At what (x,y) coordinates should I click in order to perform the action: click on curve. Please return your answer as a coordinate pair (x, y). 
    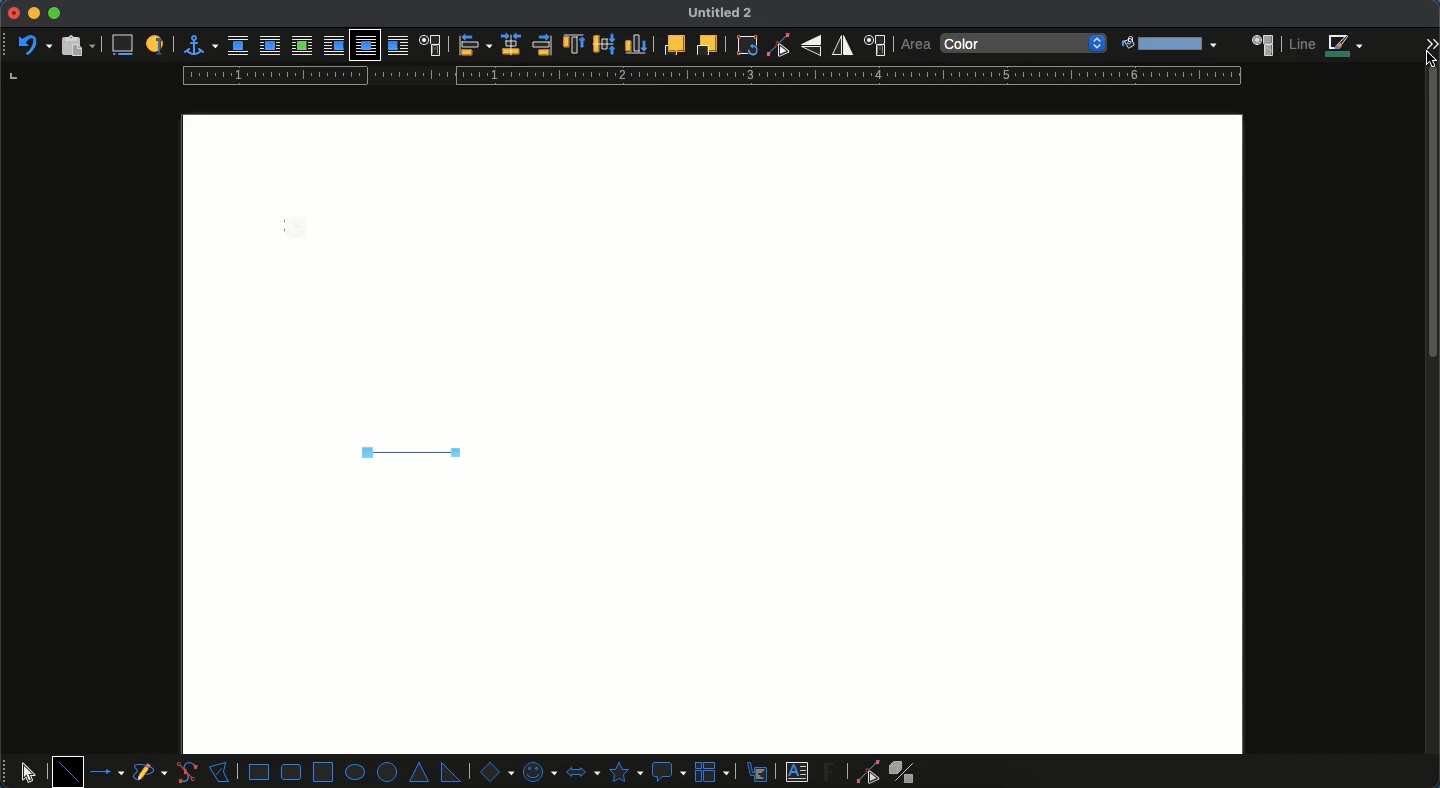
    Looking at the image, I should click on (186, 772).